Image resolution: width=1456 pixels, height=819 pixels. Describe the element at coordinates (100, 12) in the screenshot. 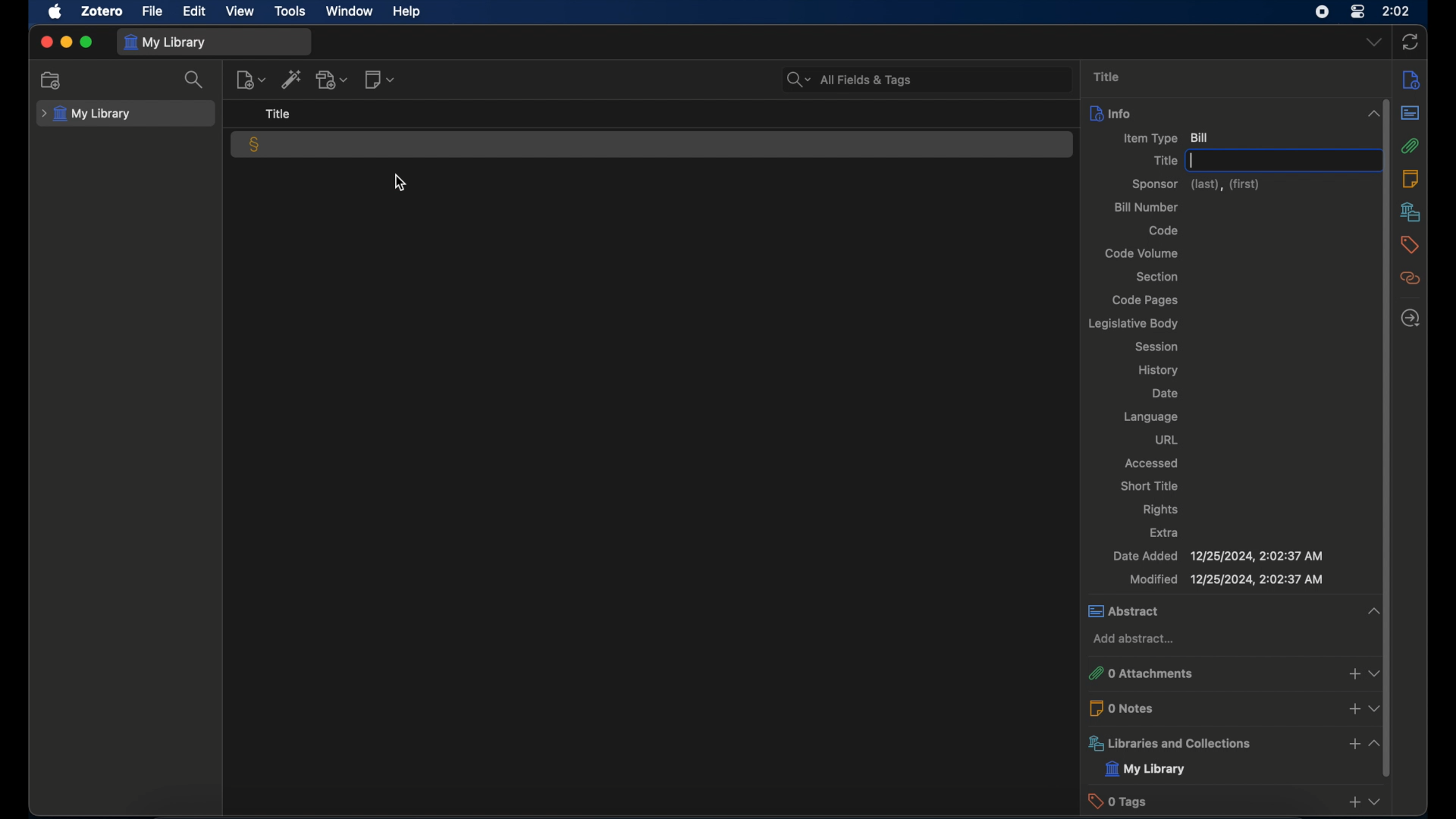

I see `zotero` at that location.